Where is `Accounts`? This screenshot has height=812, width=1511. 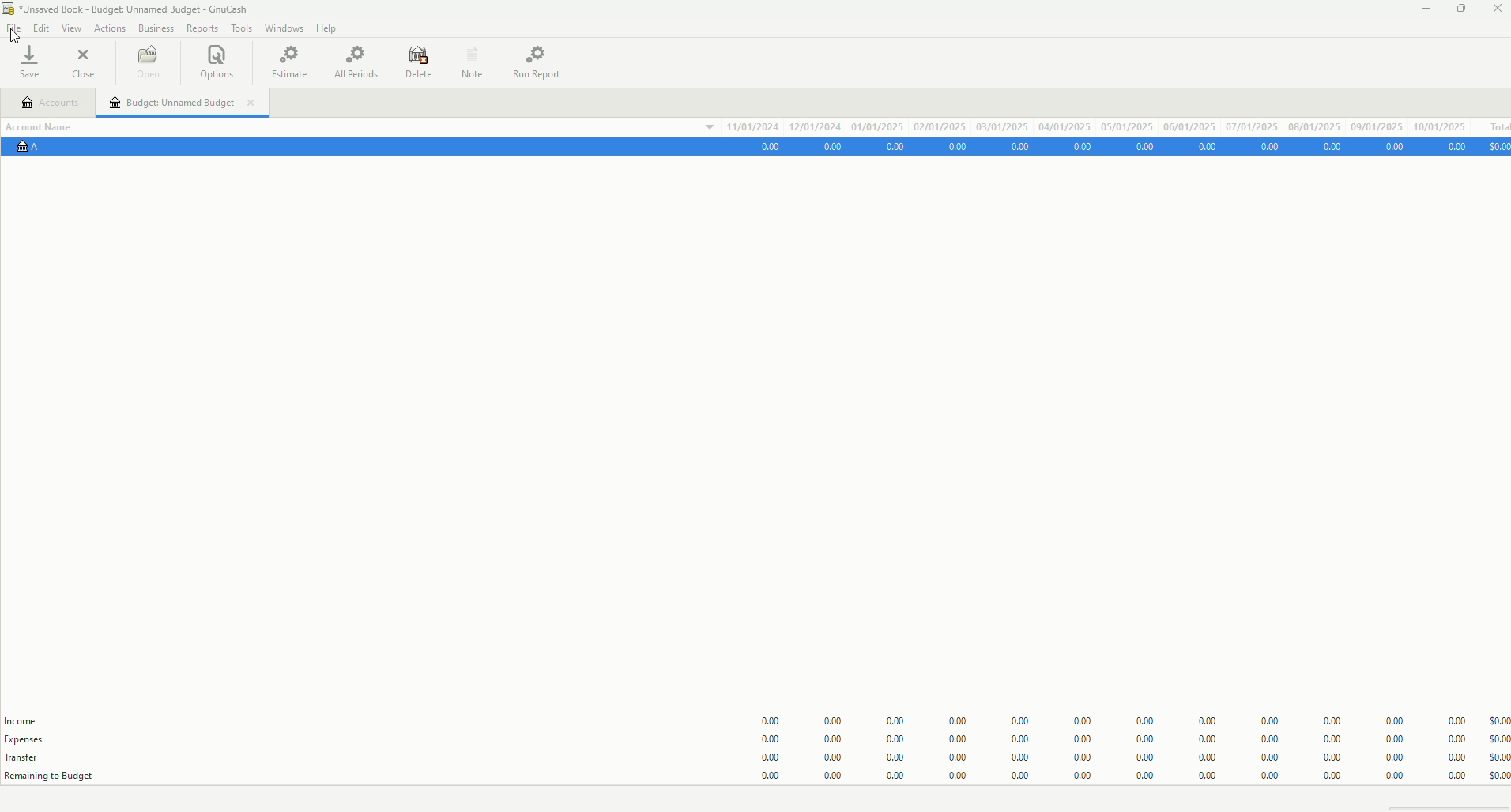
Accounts is located at coordinates (58, 102).